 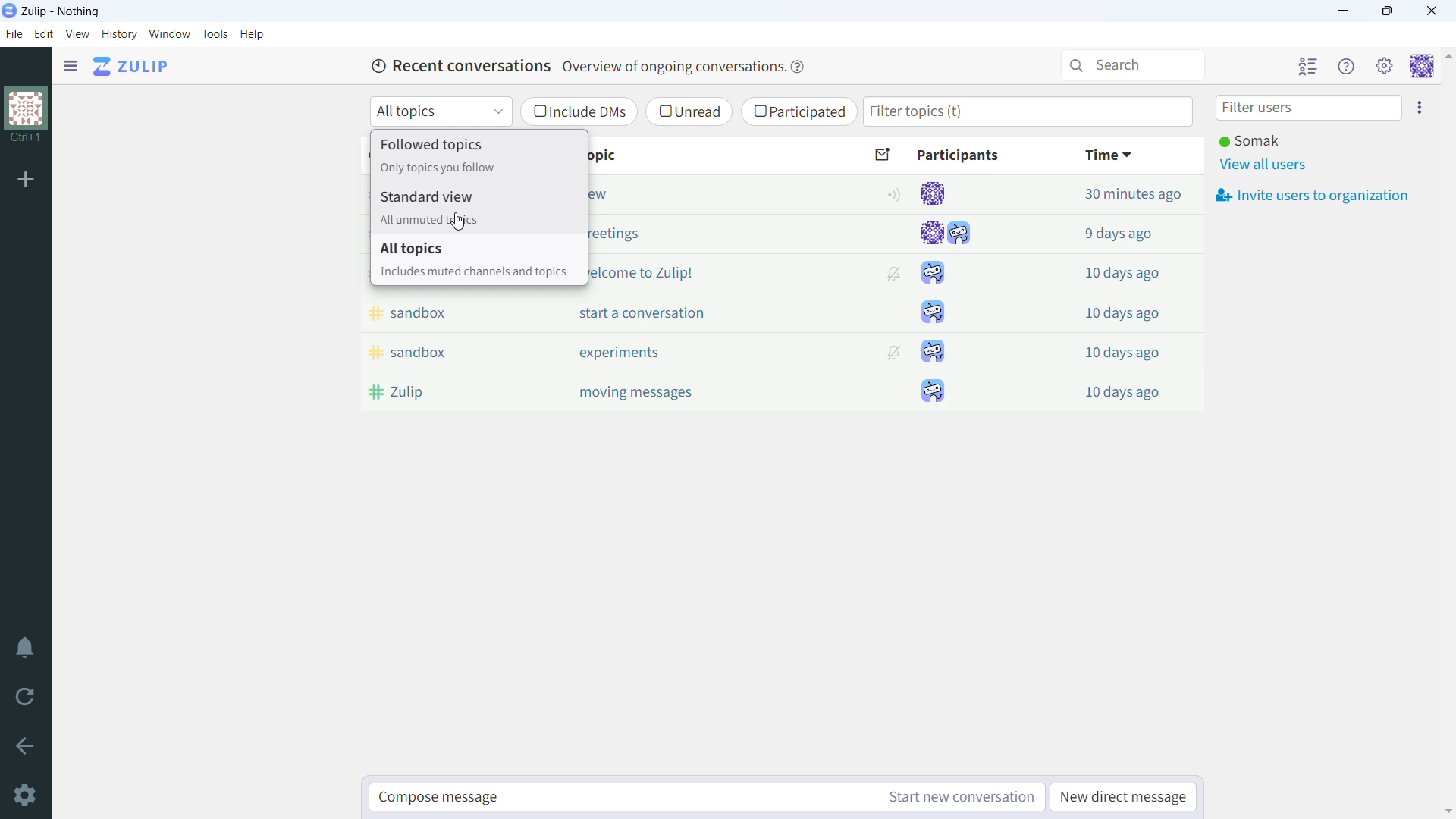 I want to click on go back, so click(x=27, y=746).